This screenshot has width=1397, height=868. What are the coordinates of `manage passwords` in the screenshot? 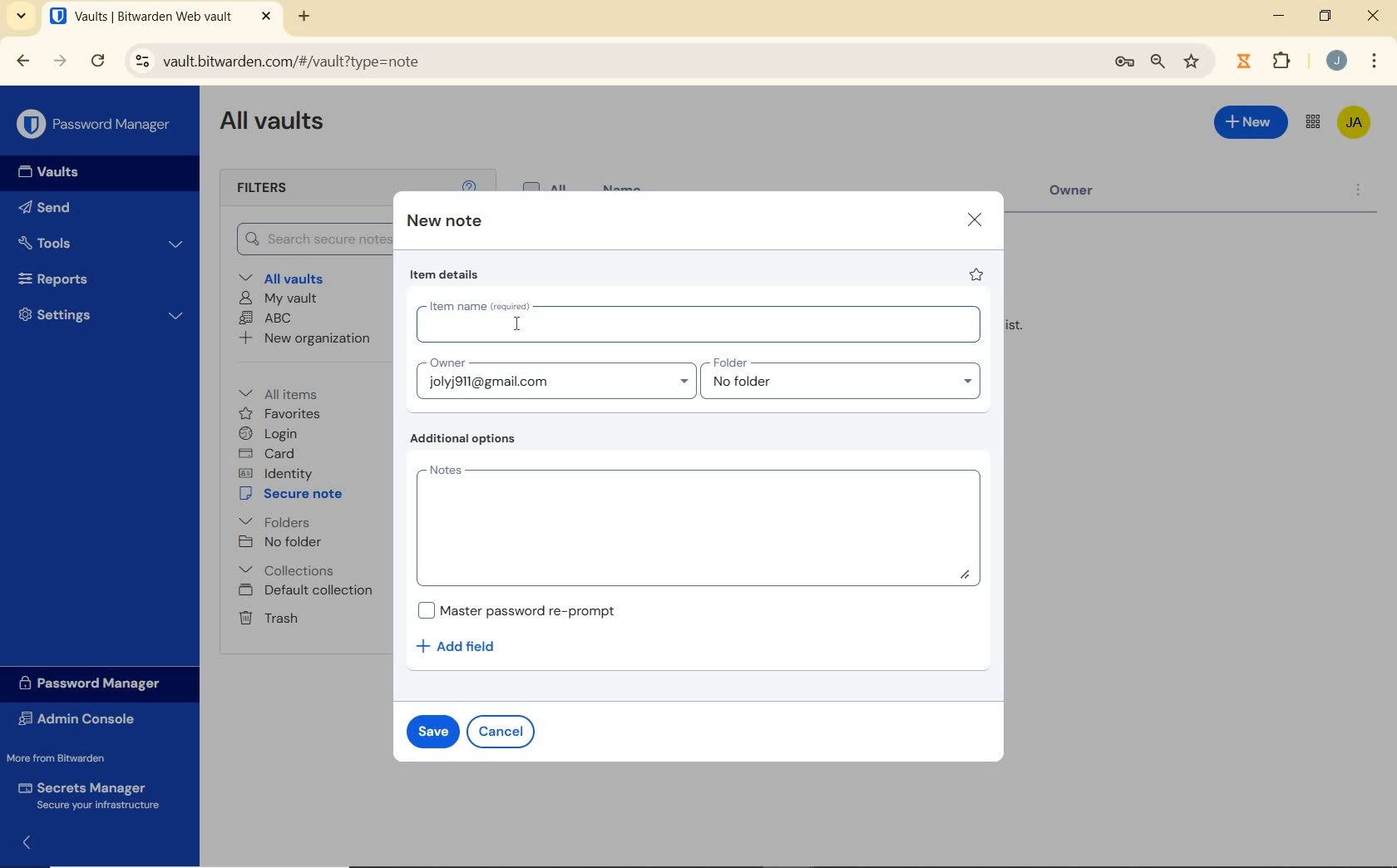 It's located at (1124, 65).